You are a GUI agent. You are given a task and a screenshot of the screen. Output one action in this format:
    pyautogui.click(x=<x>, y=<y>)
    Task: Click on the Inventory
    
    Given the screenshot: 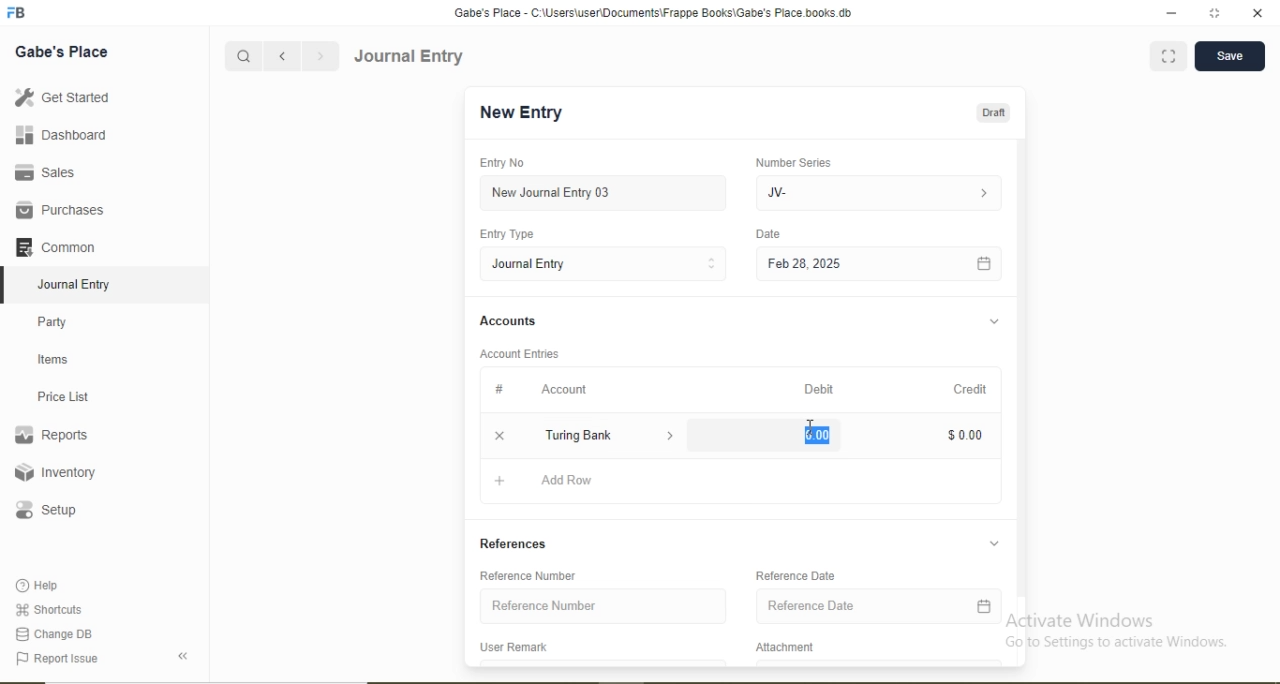 What is the action you would take?
    pyautogui.click(x=56, y=472)
    